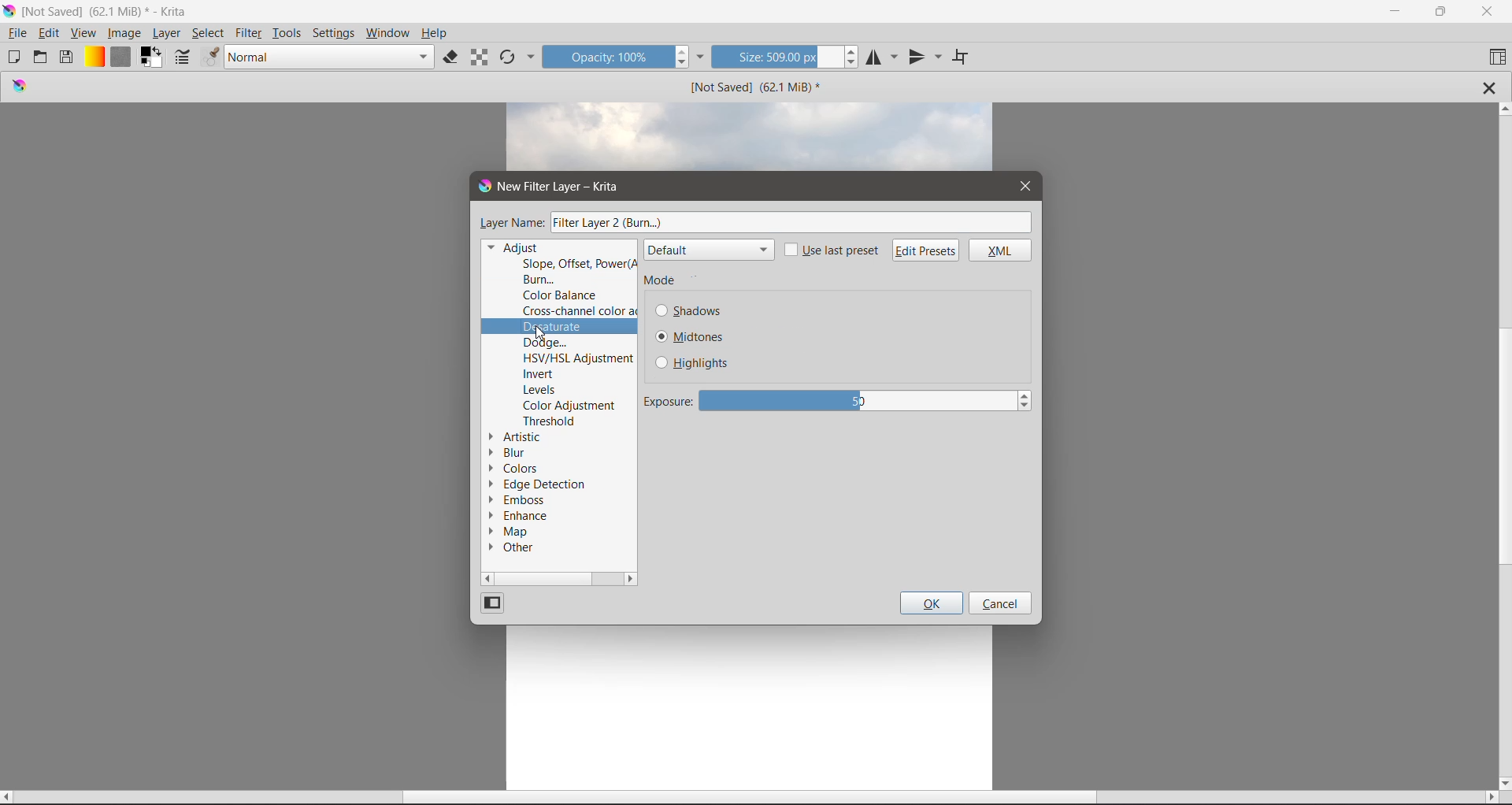 Image resolution: width=1512 pixels, height=805 pixels. I want to click on Close Tab, so click(1490, 87).